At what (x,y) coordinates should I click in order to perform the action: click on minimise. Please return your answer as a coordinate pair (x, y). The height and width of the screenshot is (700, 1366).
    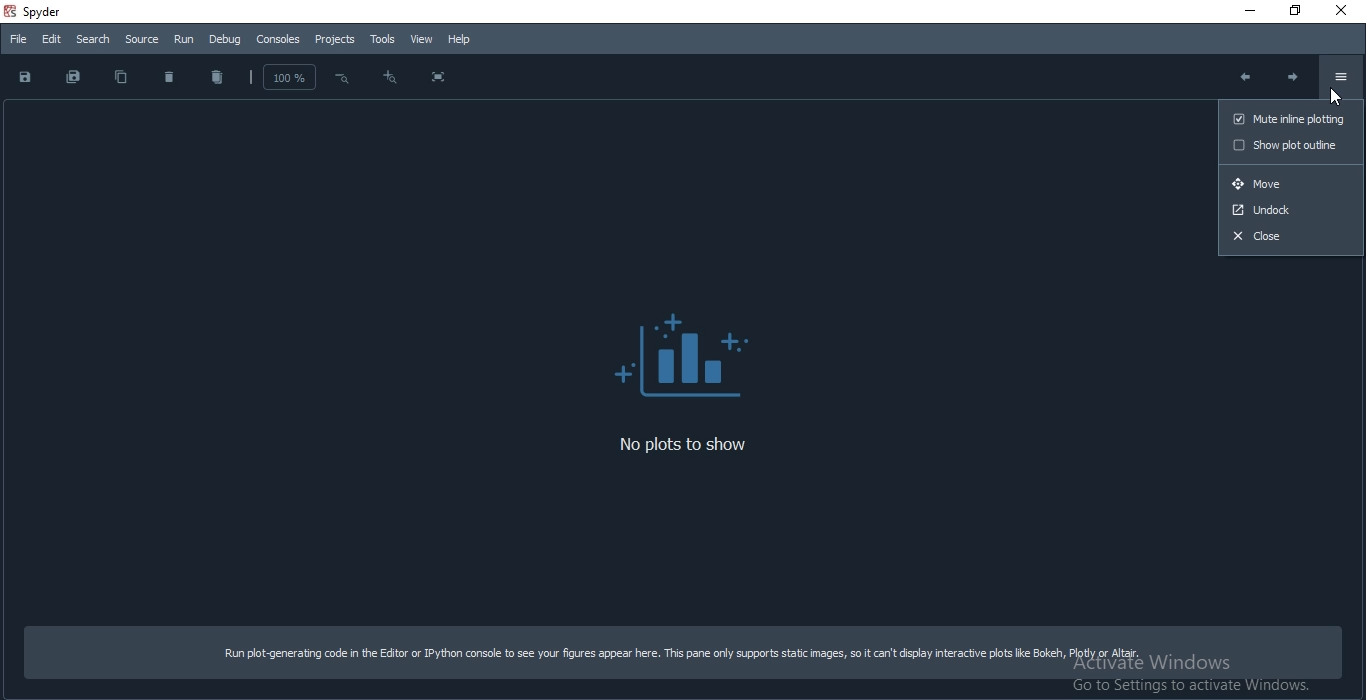
    Looking at the image, I should click on (1240, 9).